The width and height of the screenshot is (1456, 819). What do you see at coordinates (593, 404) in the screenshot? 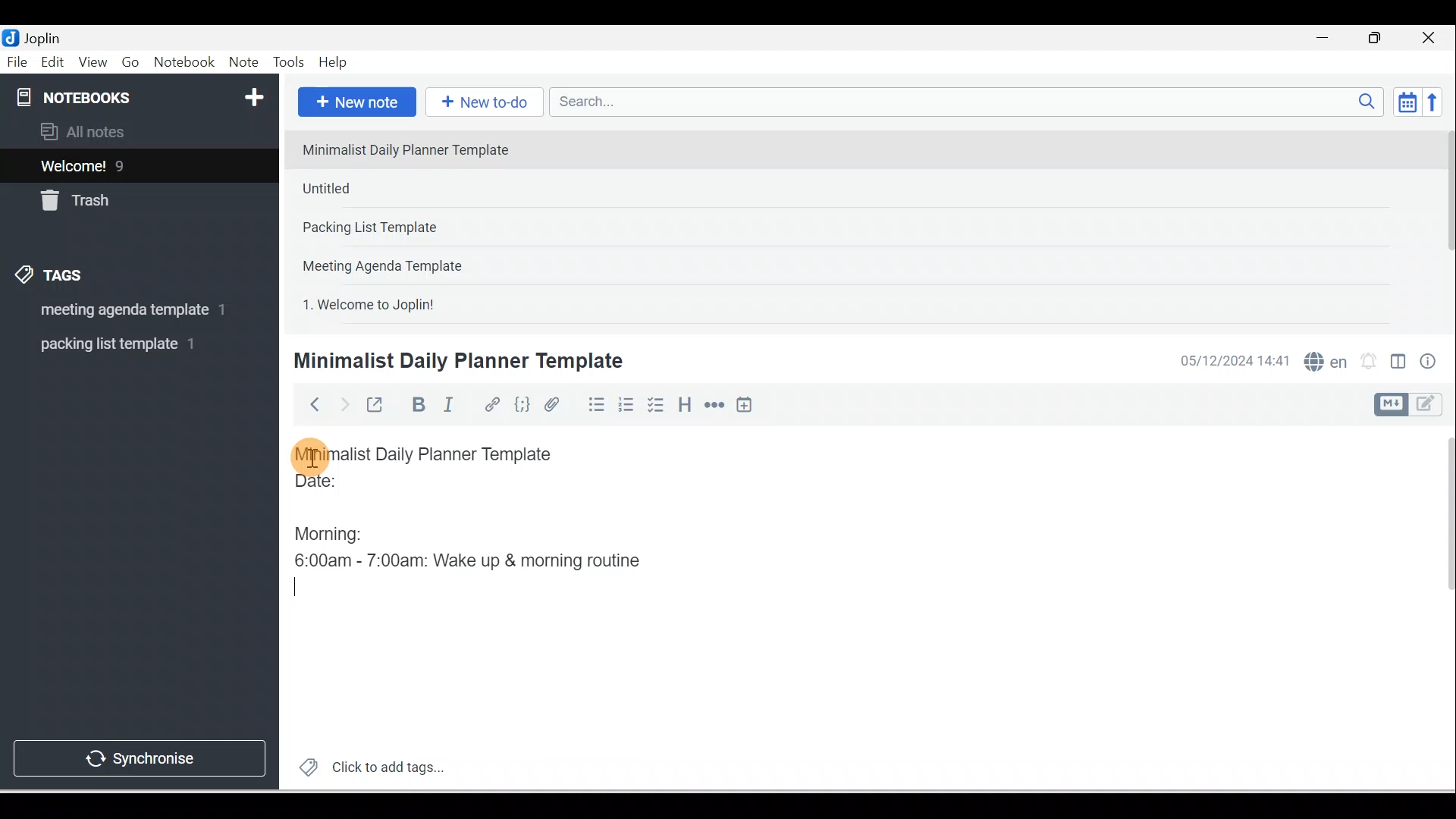
I see `Bulleted list` at bounding box center [593, 404].